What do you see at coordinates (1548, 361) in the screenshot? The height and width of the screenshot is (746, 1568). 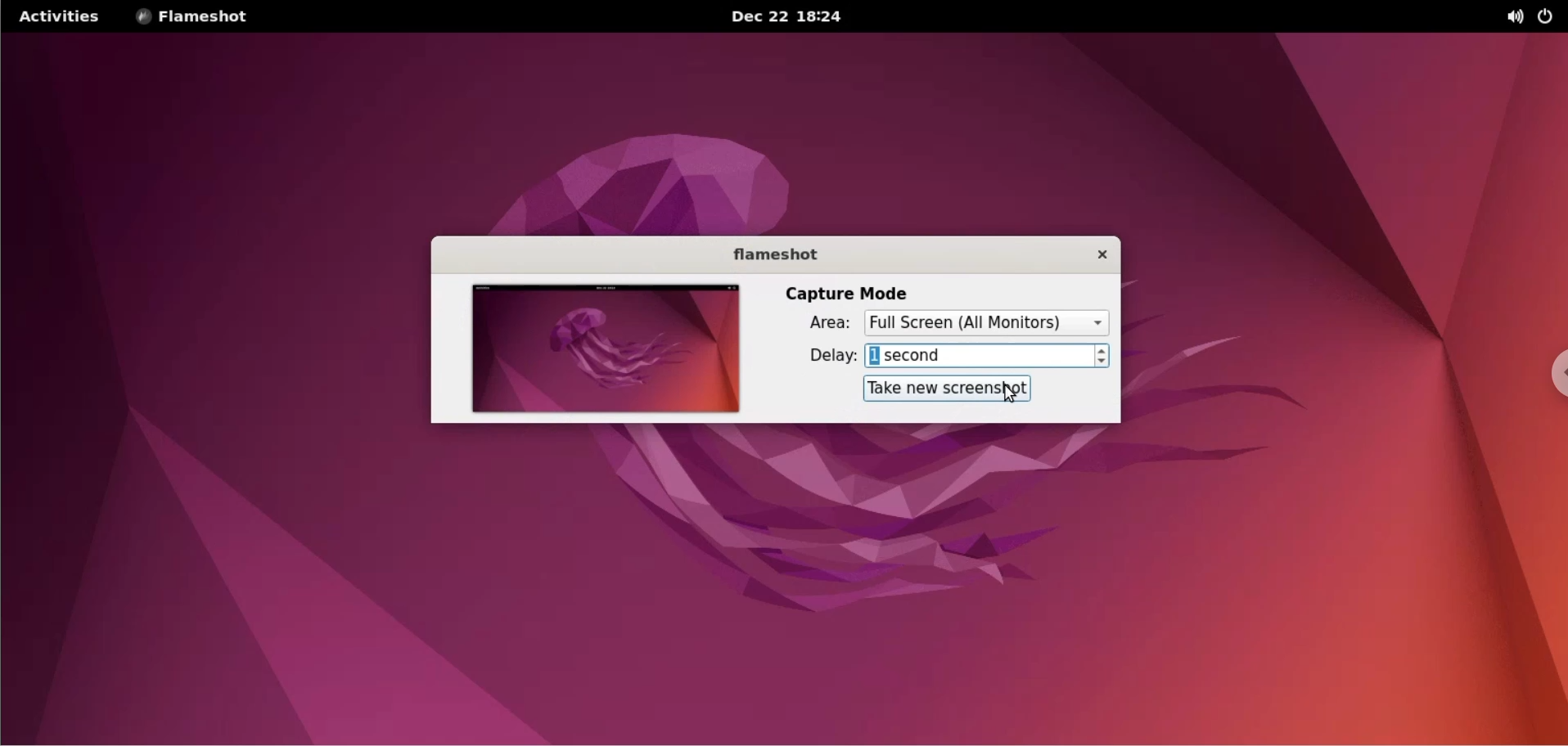 I see `chrome options` at bounding box center [1548, 361].